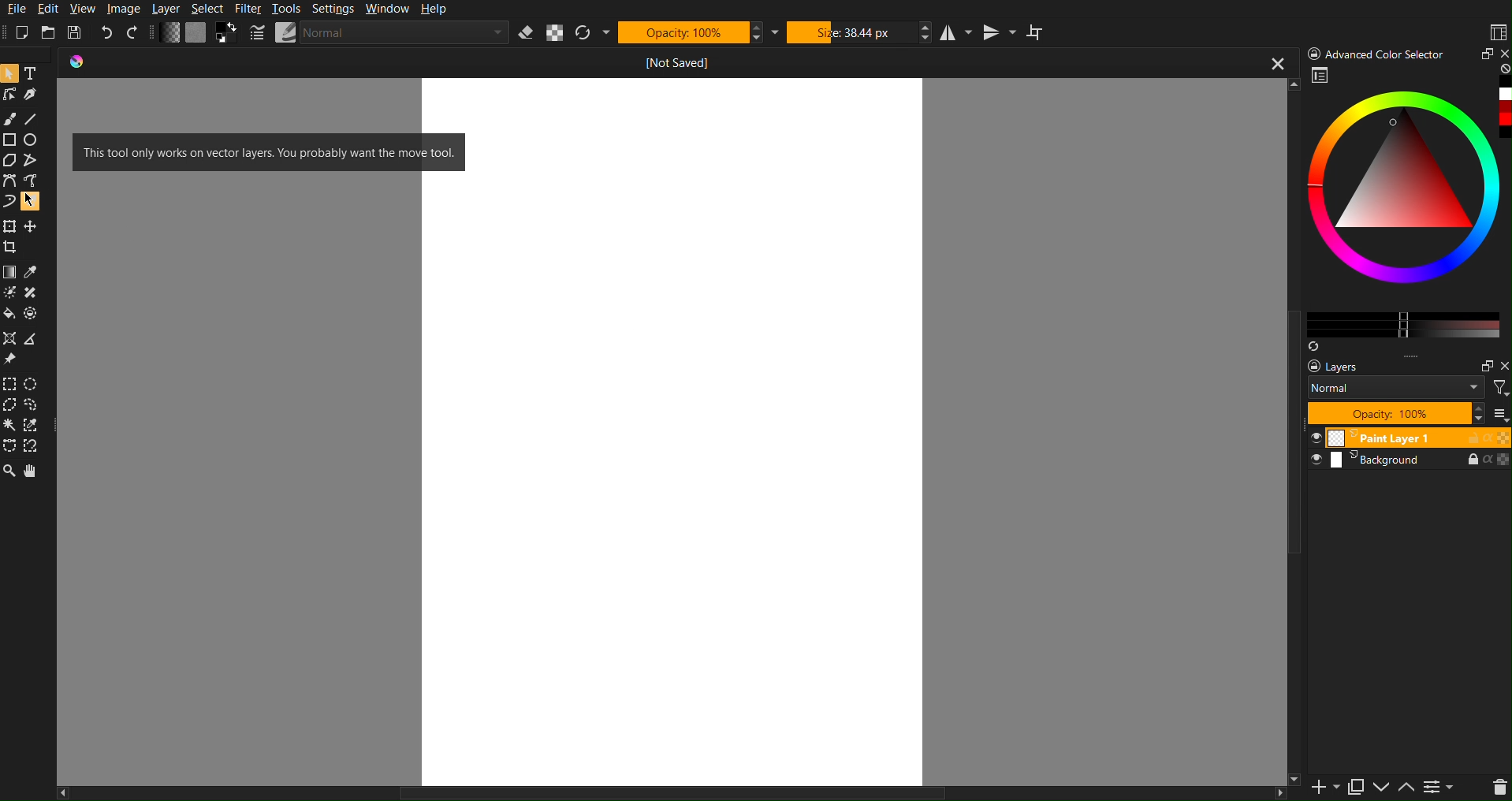 Image resolution: width=1512 pixels, height=801 pixels. Describe the element at coordinates (171, 9) in the screenshot. I see `Layer` at that location.